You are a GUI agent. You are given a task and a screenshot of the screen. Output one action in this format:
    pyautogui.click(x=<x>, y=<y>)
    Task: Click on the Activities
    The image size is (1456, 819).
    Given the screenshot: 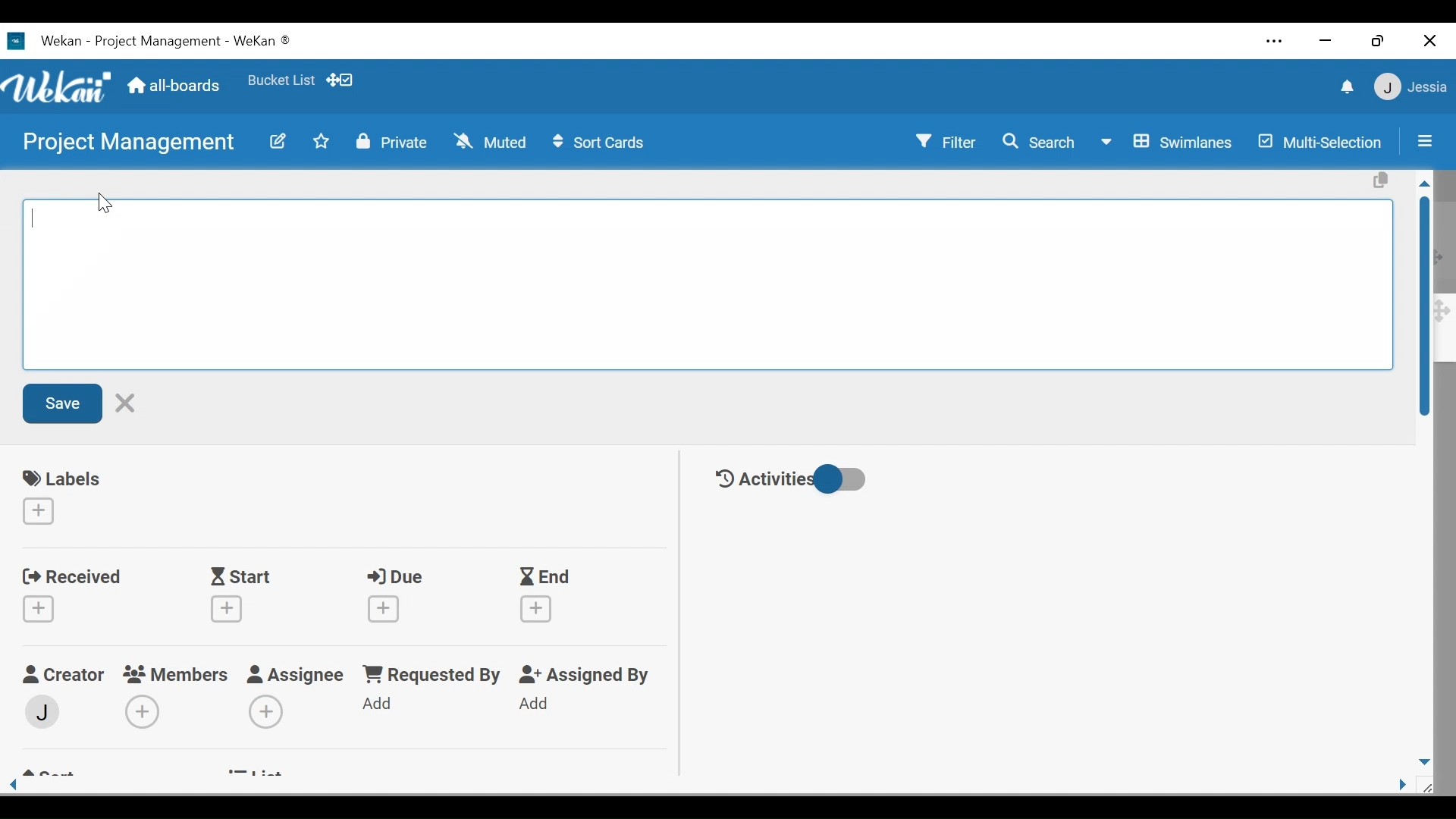 What is the action you would take?
    pyautogui.click(x=764, y=479)
    